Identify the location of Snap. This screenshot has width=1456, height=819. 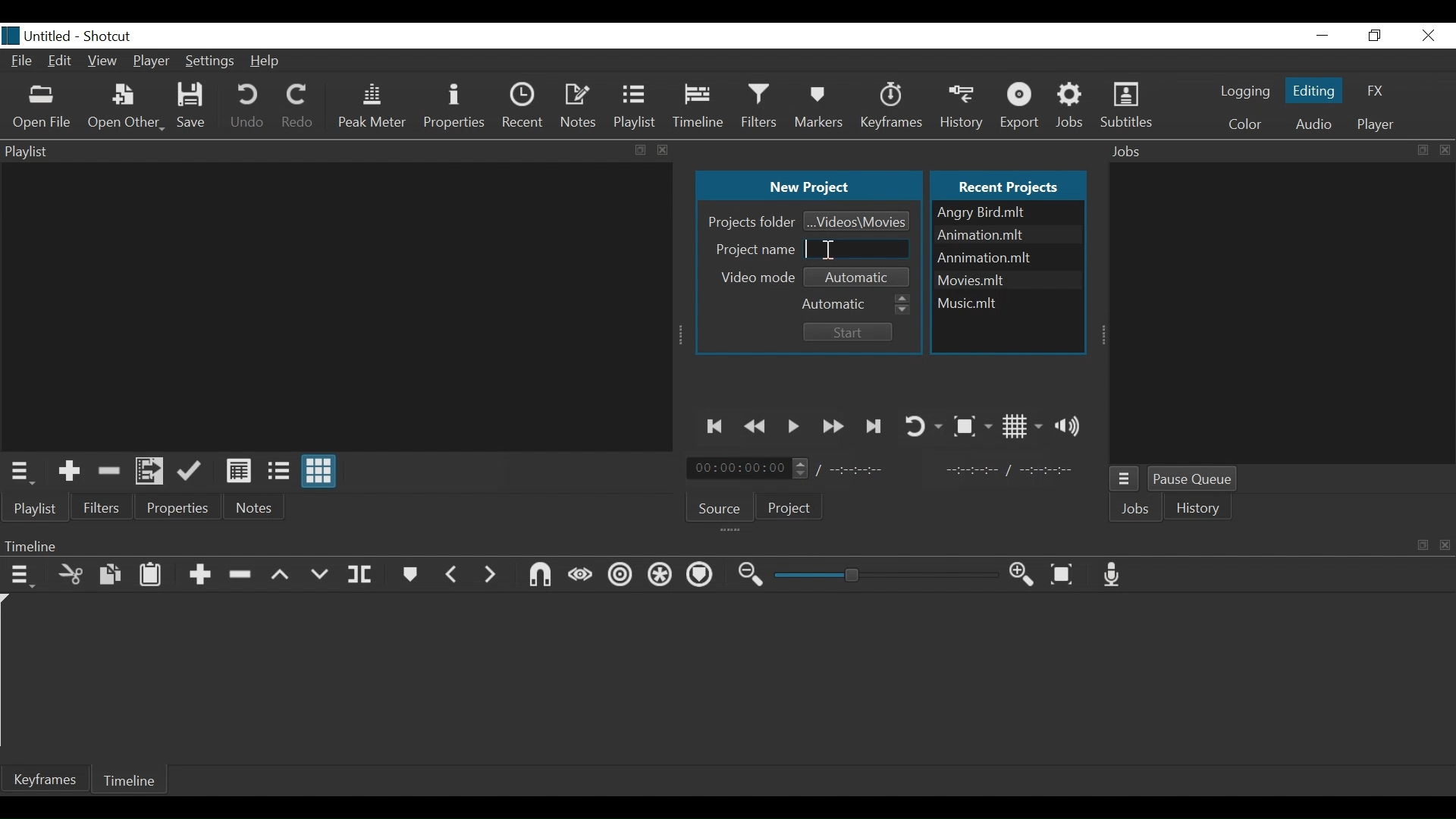
(539, 575).